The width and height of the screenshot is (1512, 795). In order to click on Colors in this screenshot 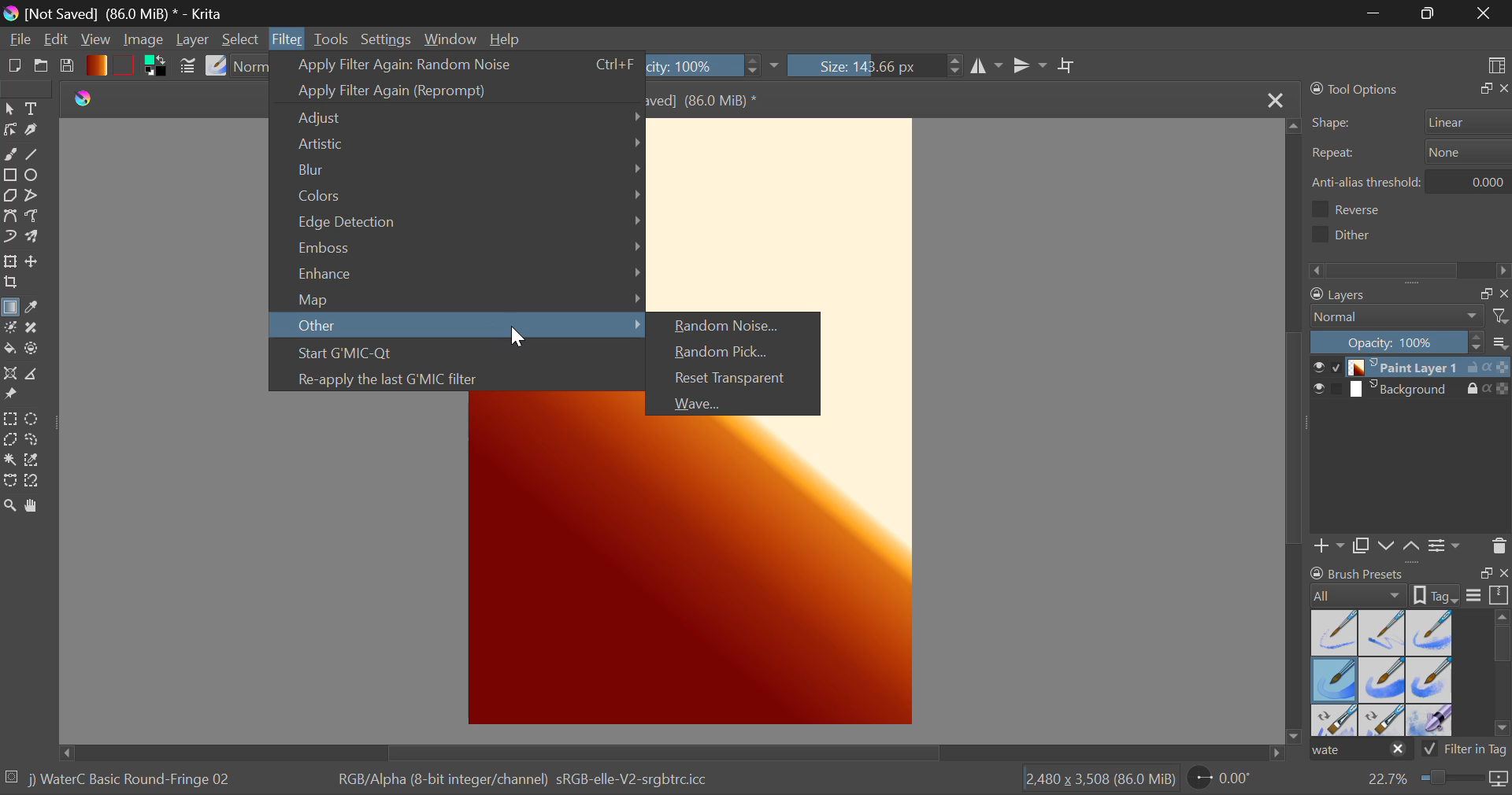, I will do `click(458, 195)`.